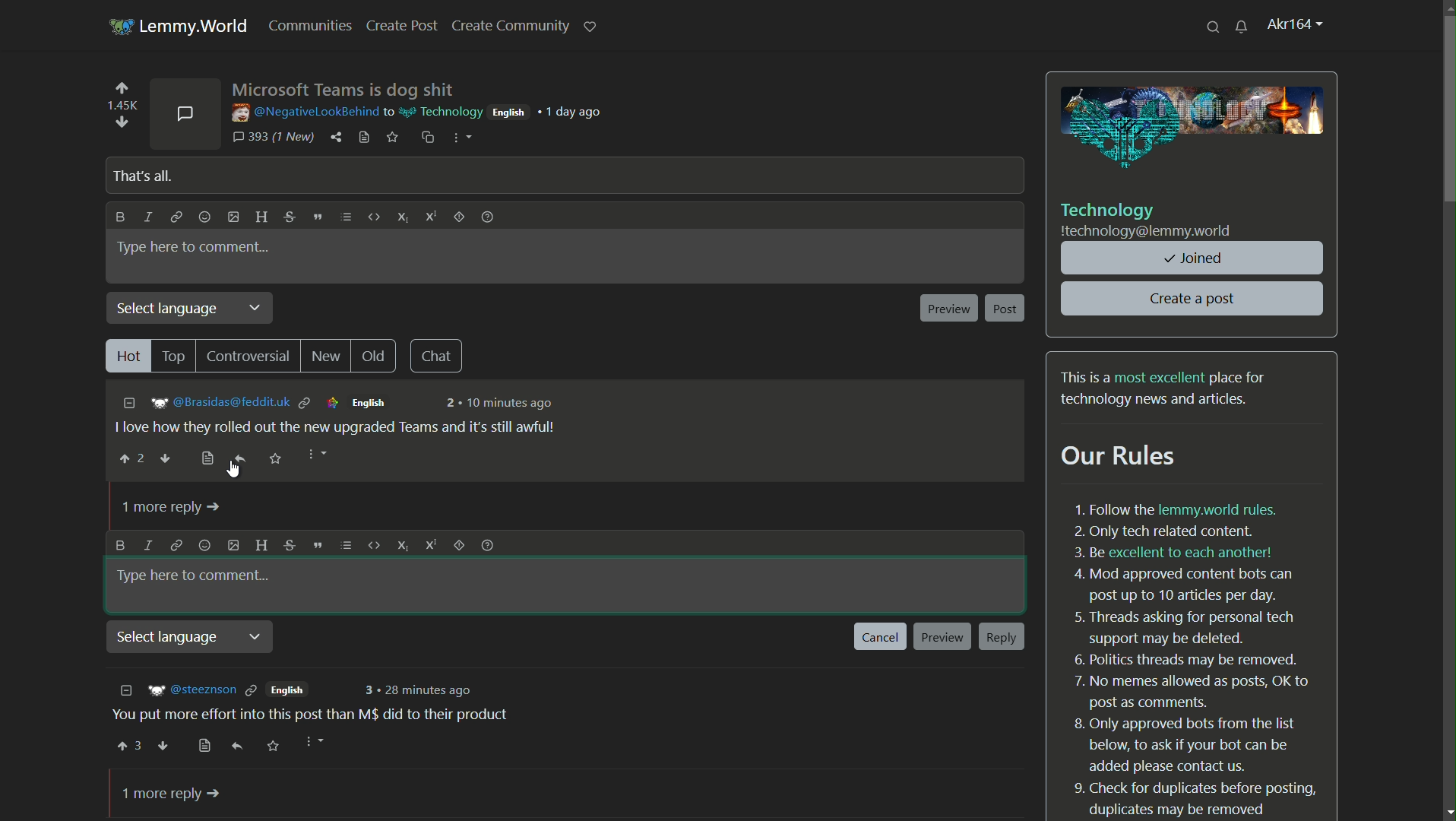  Describe the element at coordinates (122, 90) in the screenshot. I see `upvote` at that location.